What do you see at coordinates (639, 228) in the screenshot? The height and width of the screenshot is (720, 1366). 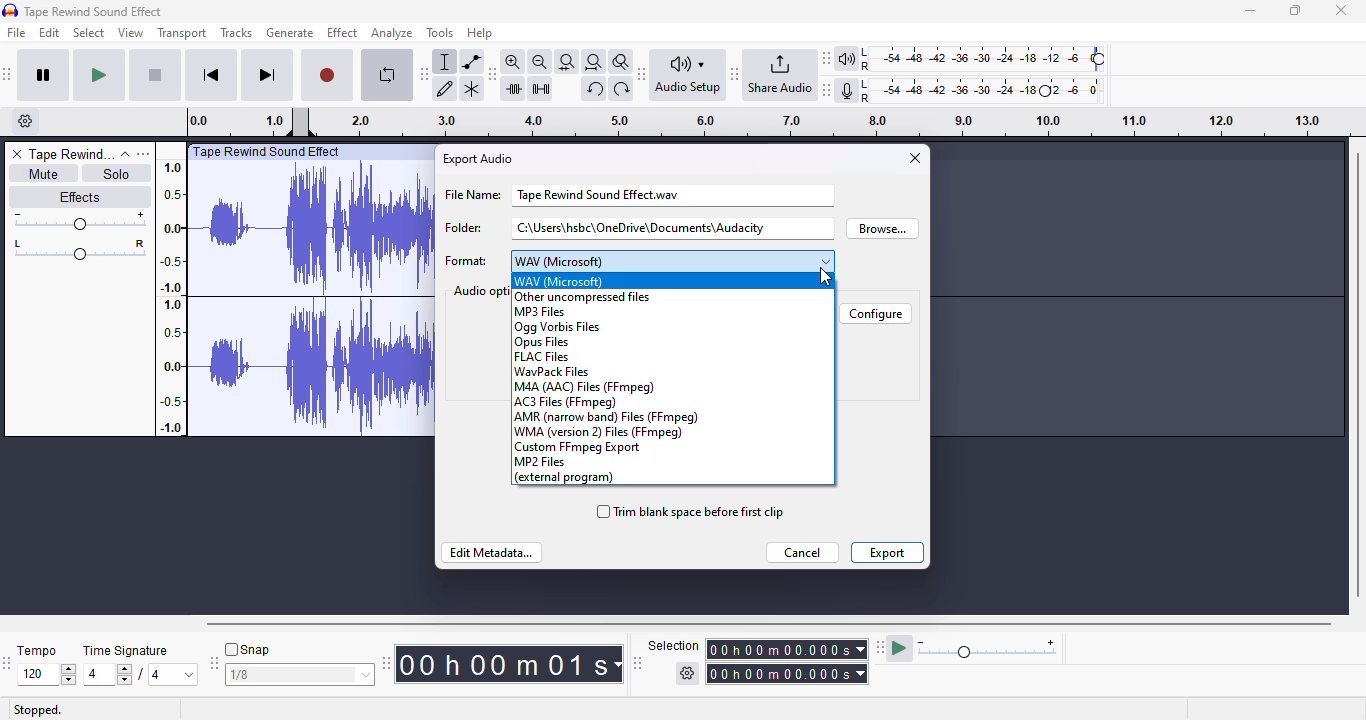 I see `folder` at bounding box center [639, 228].